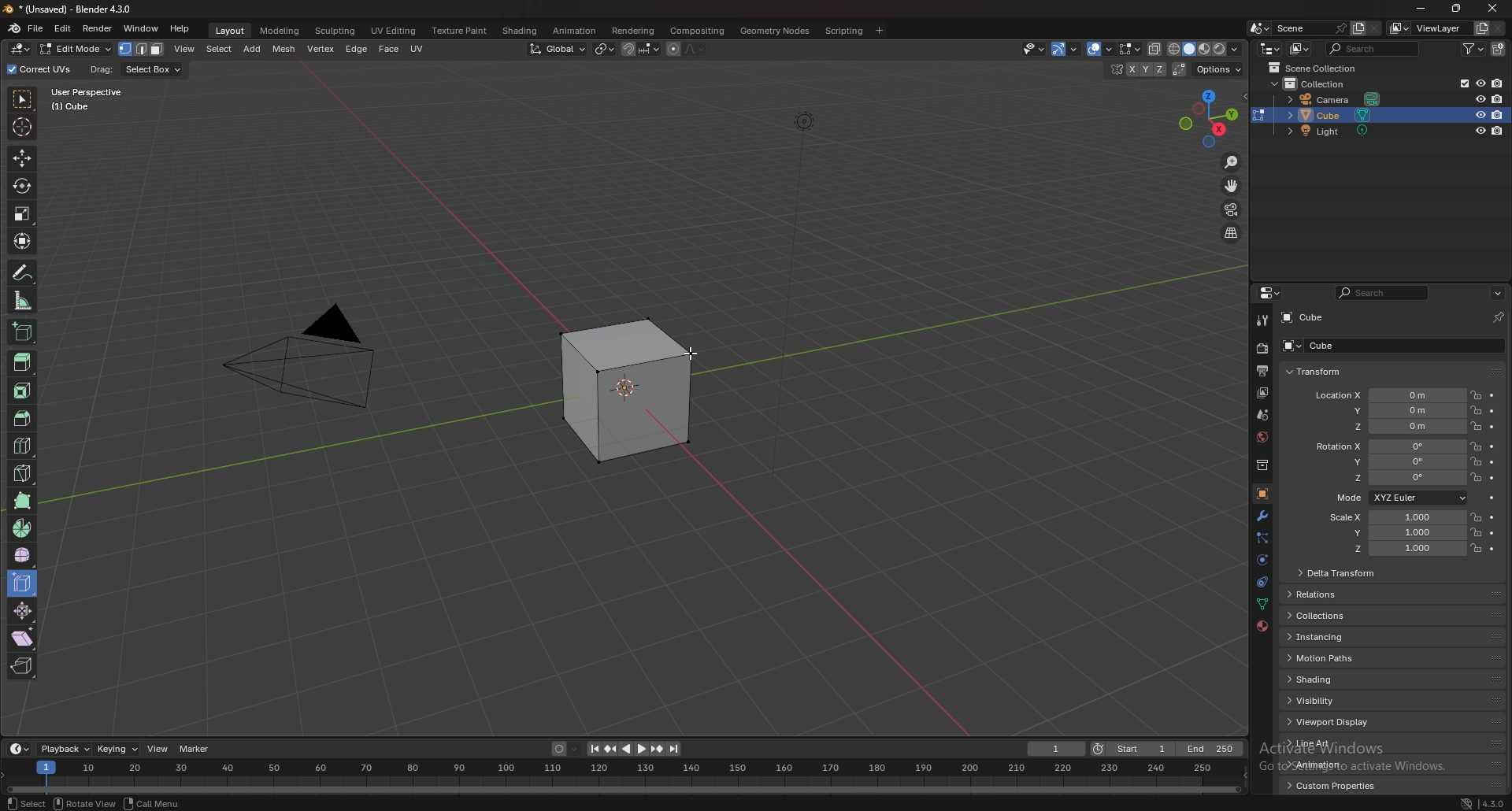  Describe the element at coordinates (1493, 447) in the screenshot. I see `animate property` at that location.